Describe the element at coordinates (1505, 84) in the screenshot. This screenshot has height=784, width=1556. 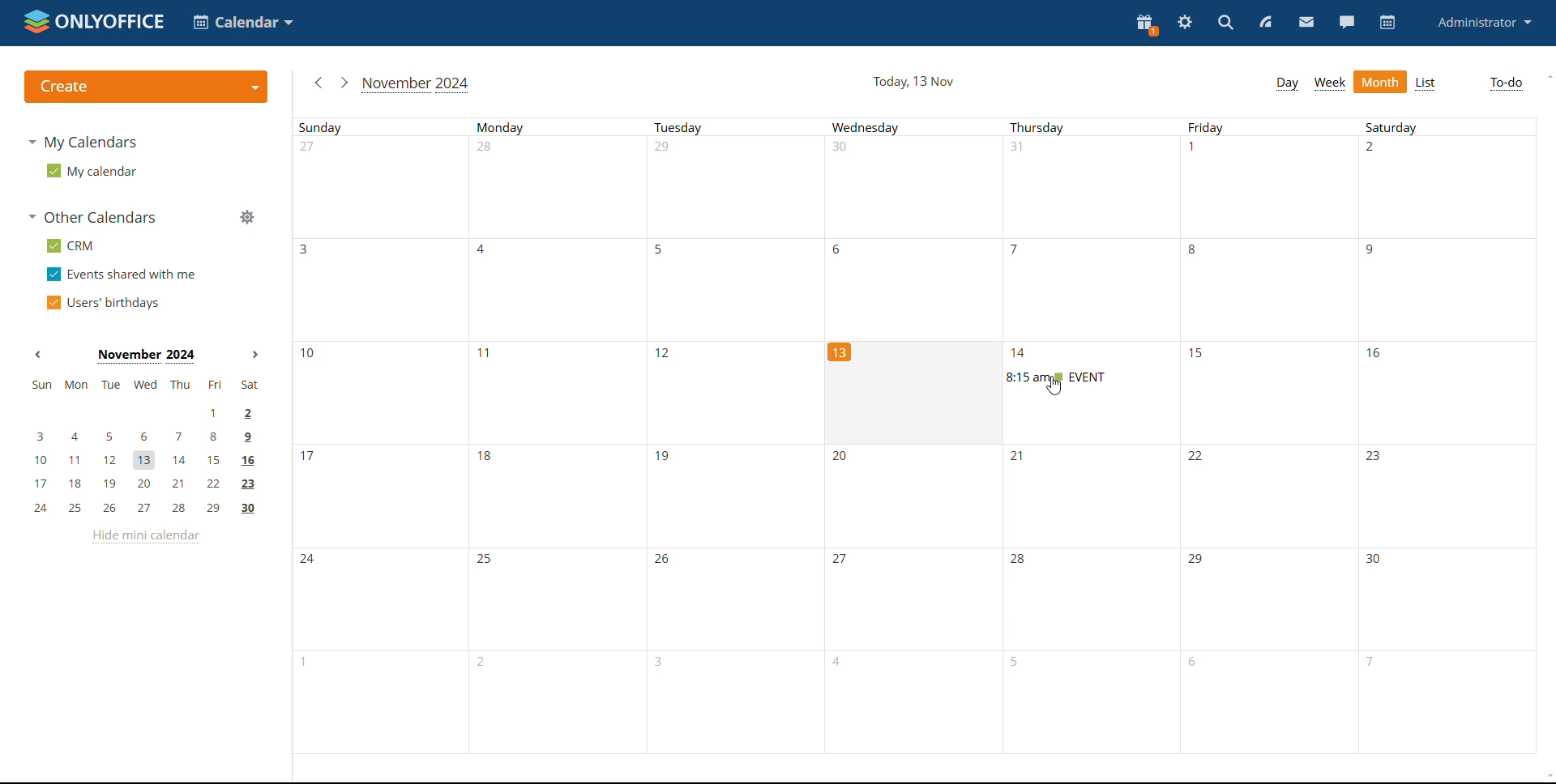
I see `to-do` at that location.